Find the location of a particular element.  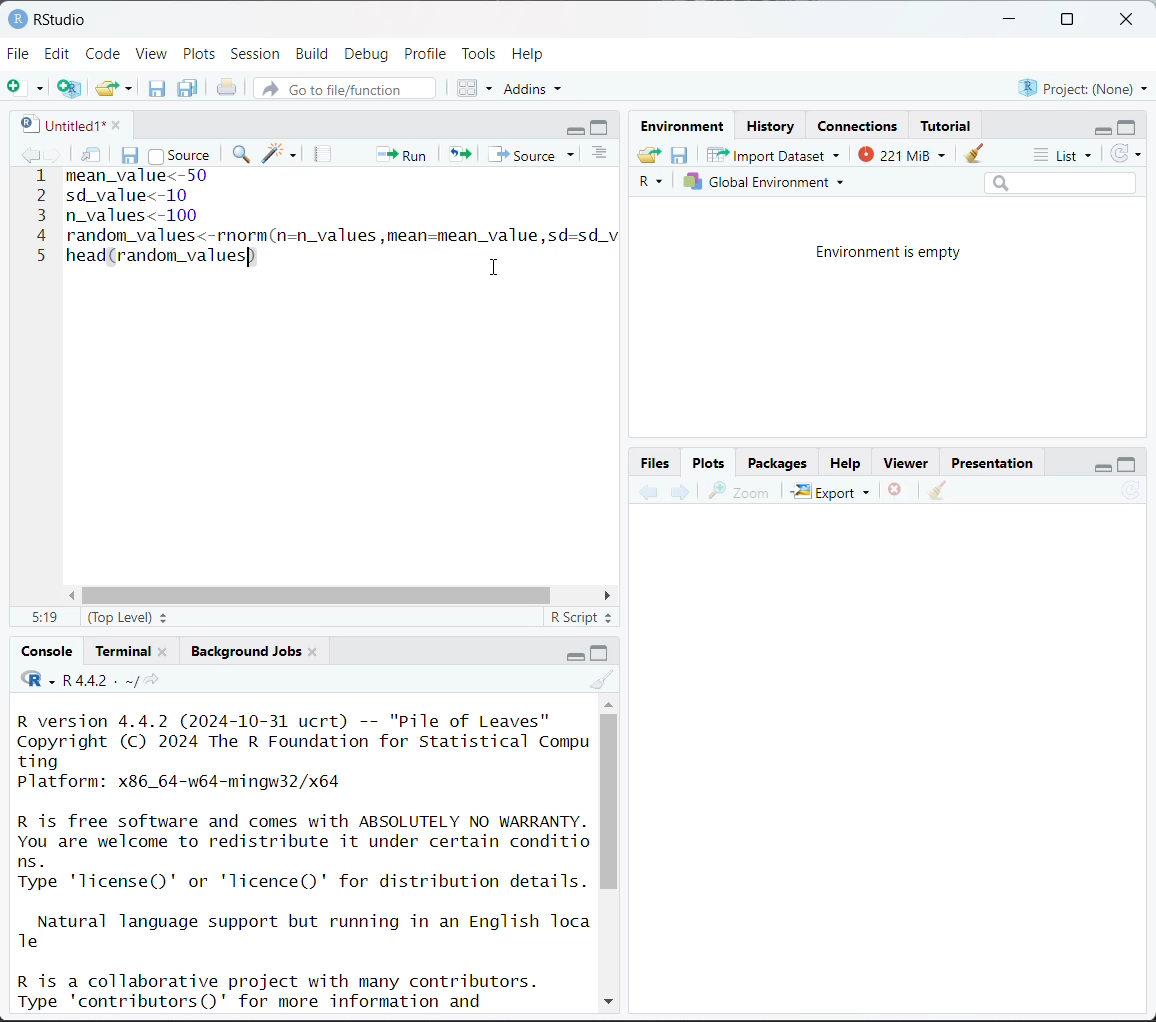

 is located at coordinates (657, 462).